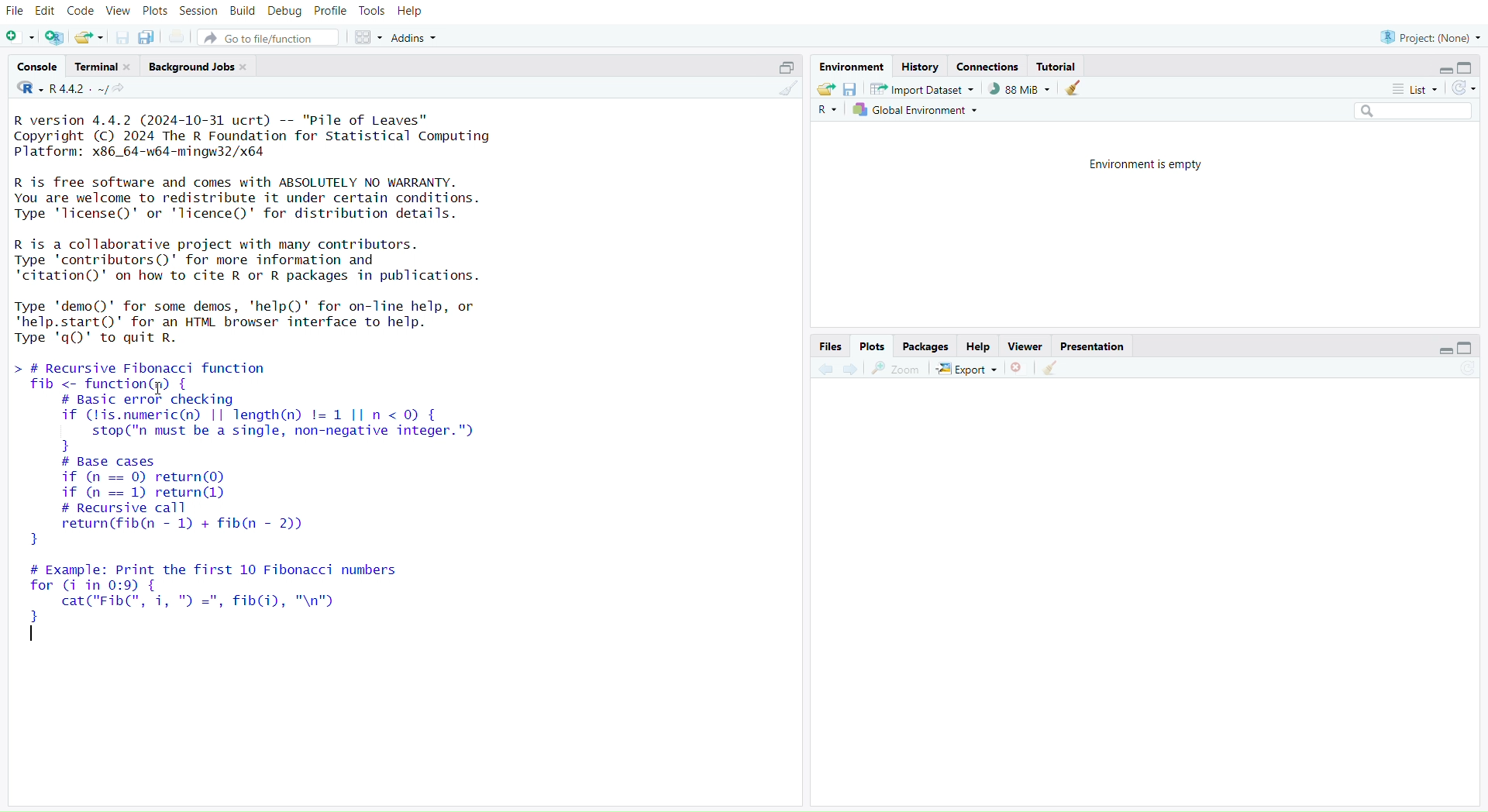 The height and width of the screenshot is (812, 1488). Describe the element at coordinates (1059, 67) in the screenshot. I see `tutorial` at that location.